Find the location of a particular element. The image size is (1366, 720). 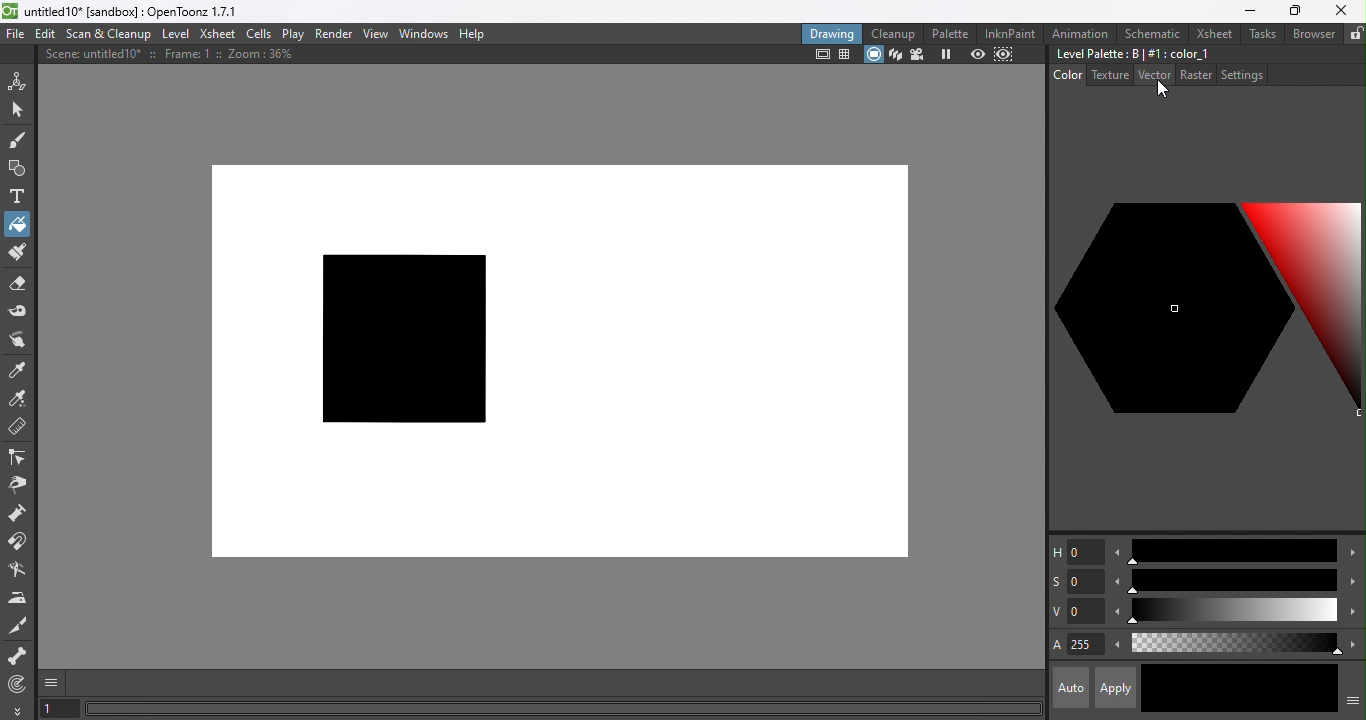

Selection tool is located at coordinates (17, 108).